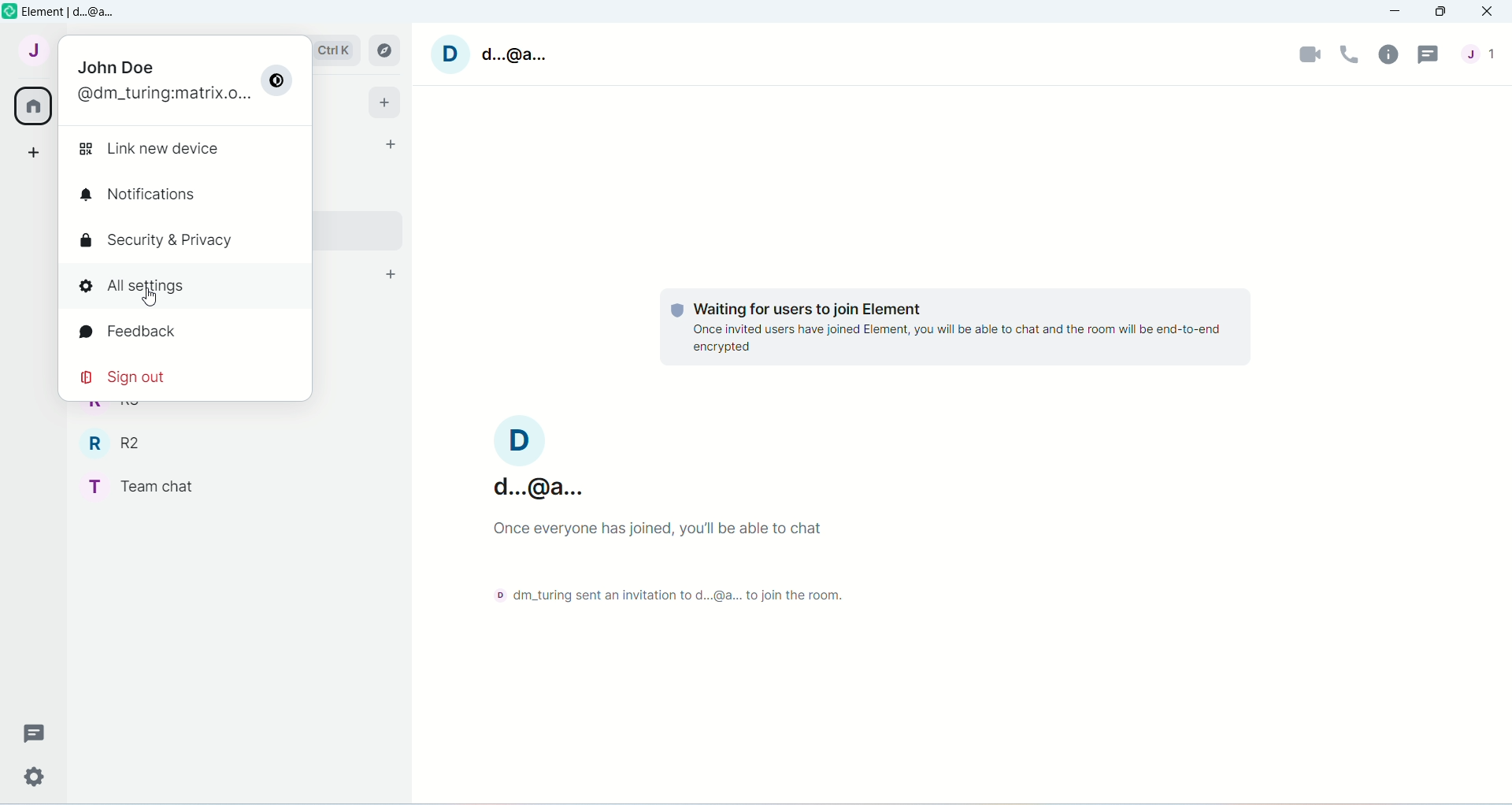 The height and width of the screenshot is (805, 1512). What do you see at coordinates (152, 488) in the screenshot?
I see `Room Team chat` at bounding box center [152, 488].